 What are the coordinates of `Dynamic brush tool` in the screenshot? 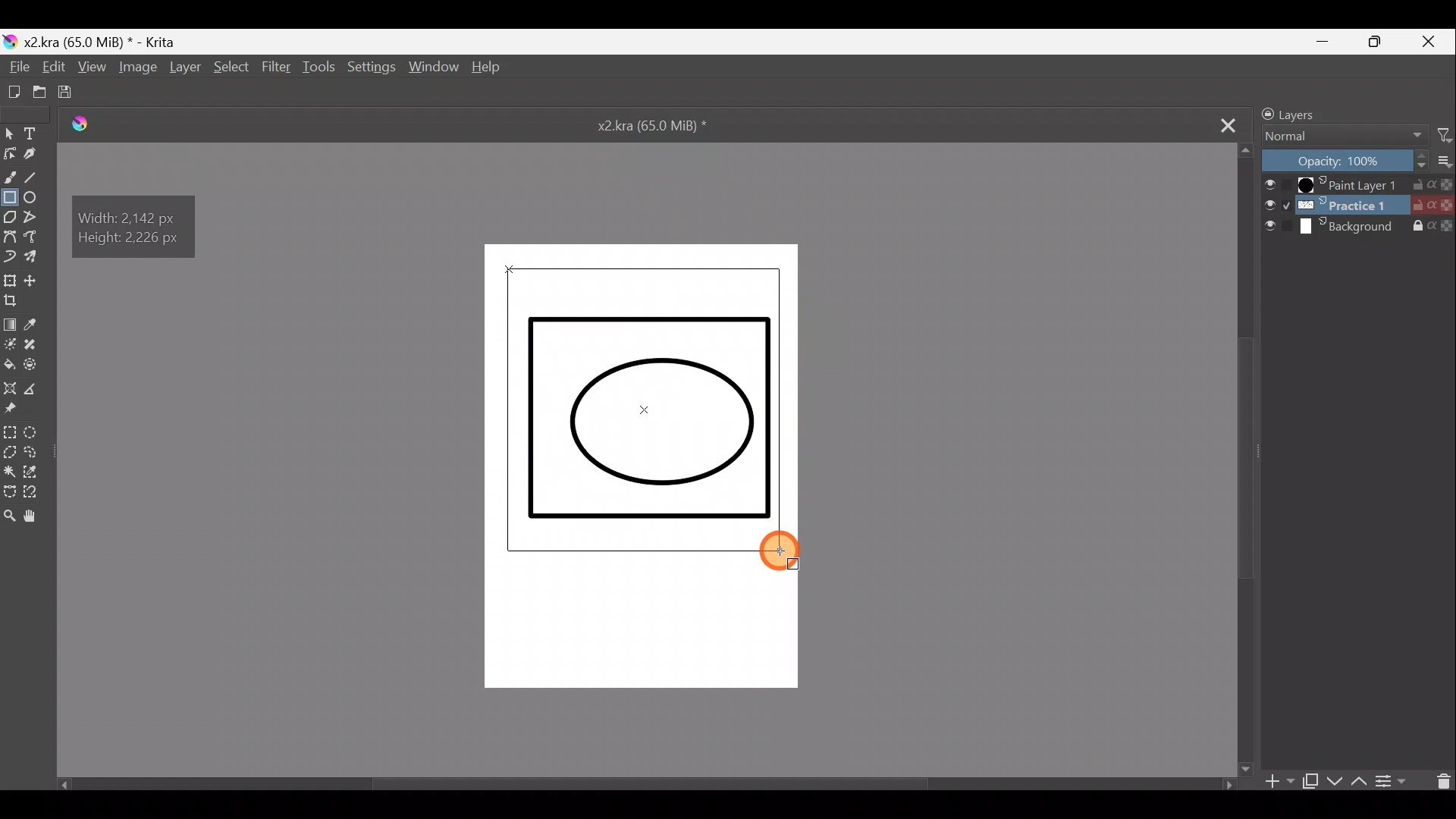 It's located at (10, 257).